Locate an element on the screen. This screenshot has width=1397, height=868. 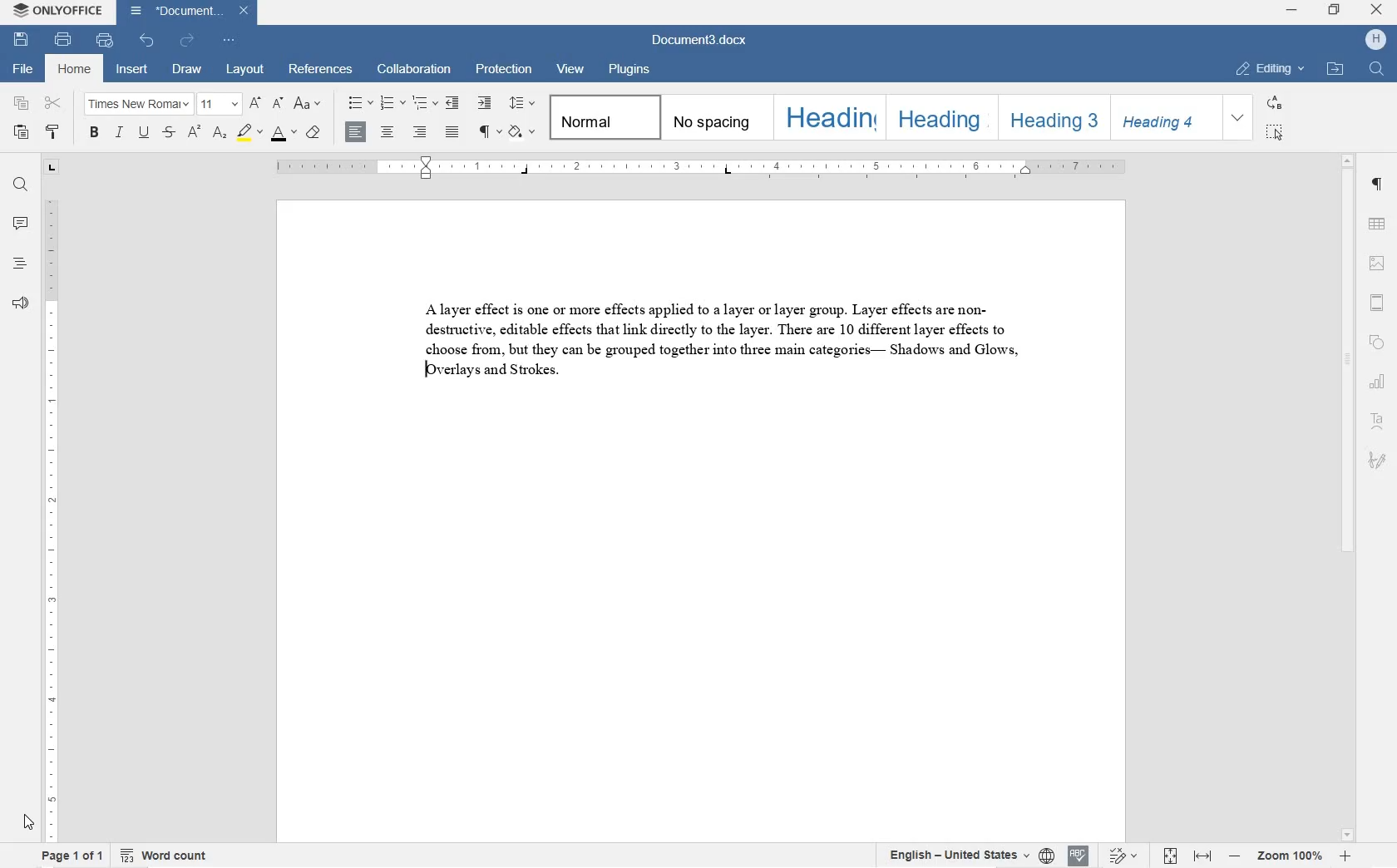
ITALIC is located at coordinates (121, 131).